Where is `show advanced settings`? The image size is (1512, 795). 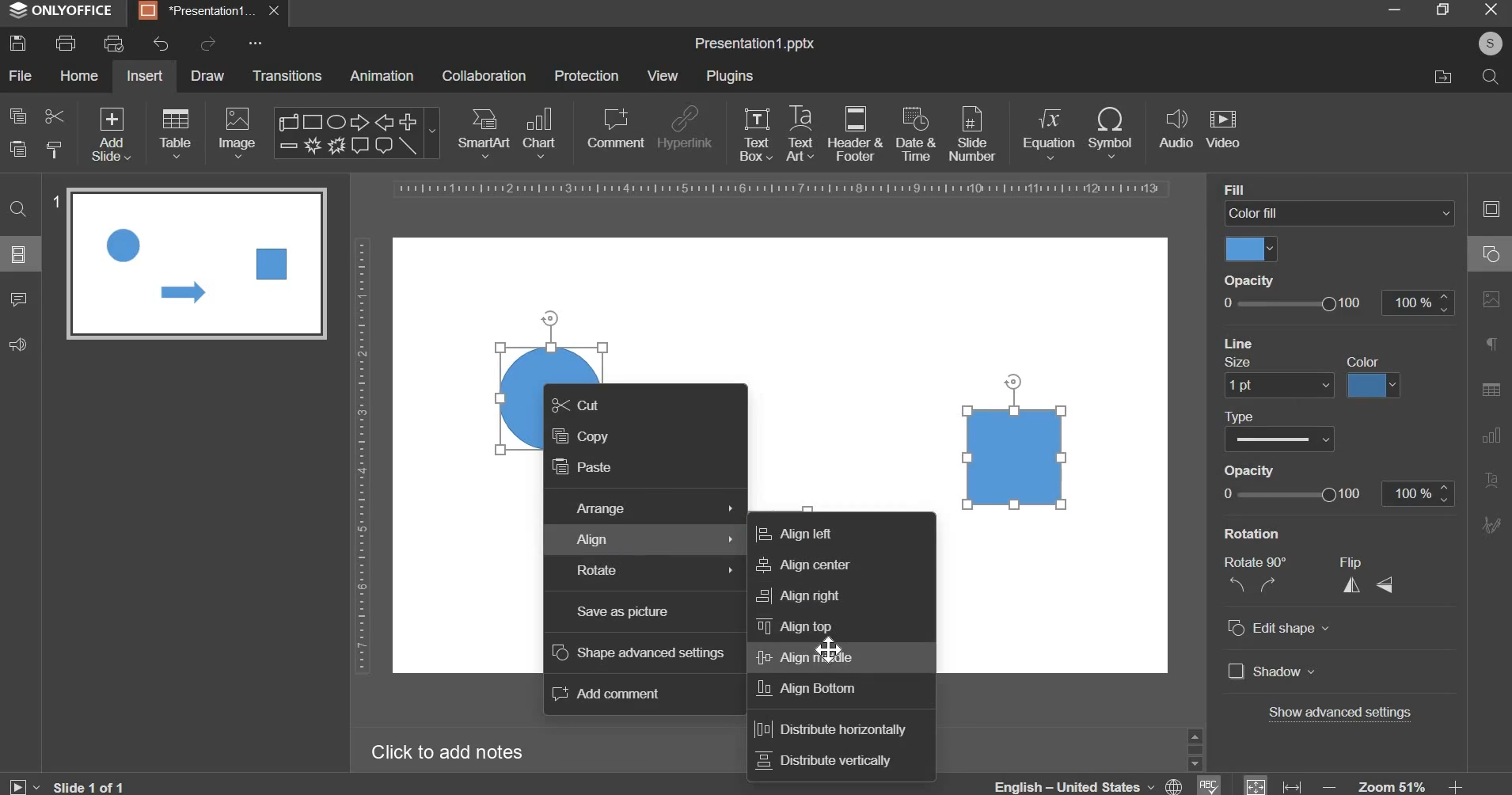
show advanced settings is located at coordinates (1343, 714).